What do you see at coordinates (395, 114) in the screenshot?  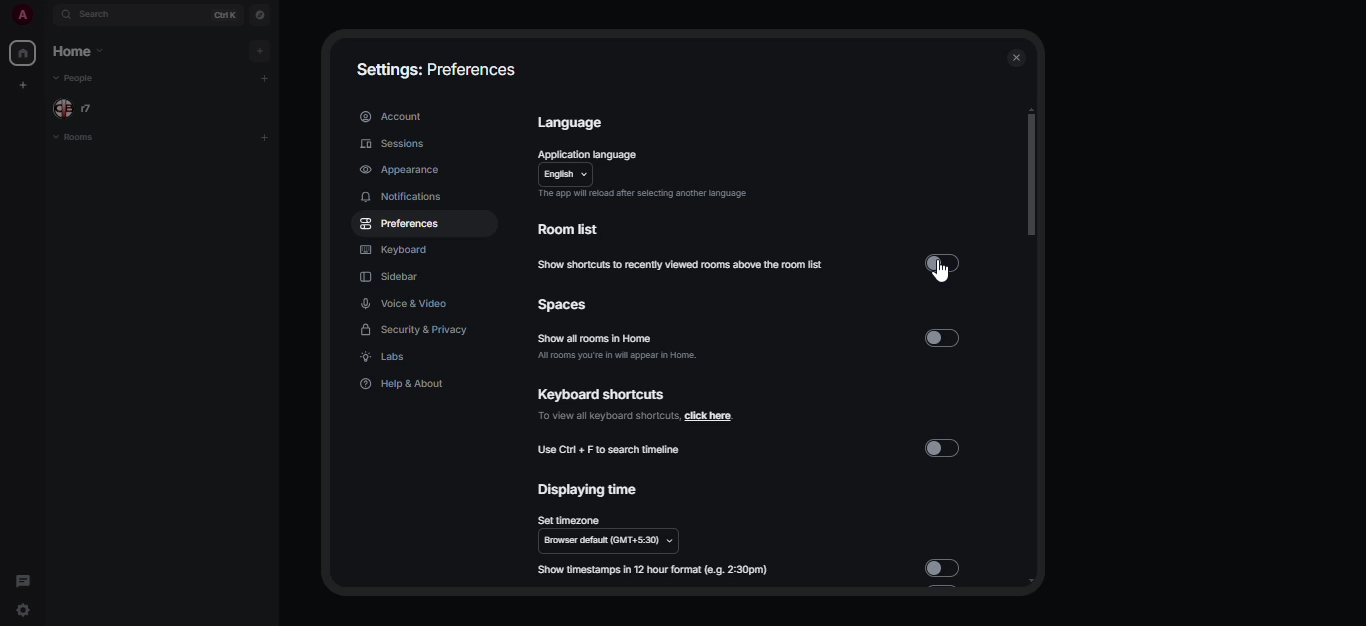 I see `account` at bounding box center [395, 114].